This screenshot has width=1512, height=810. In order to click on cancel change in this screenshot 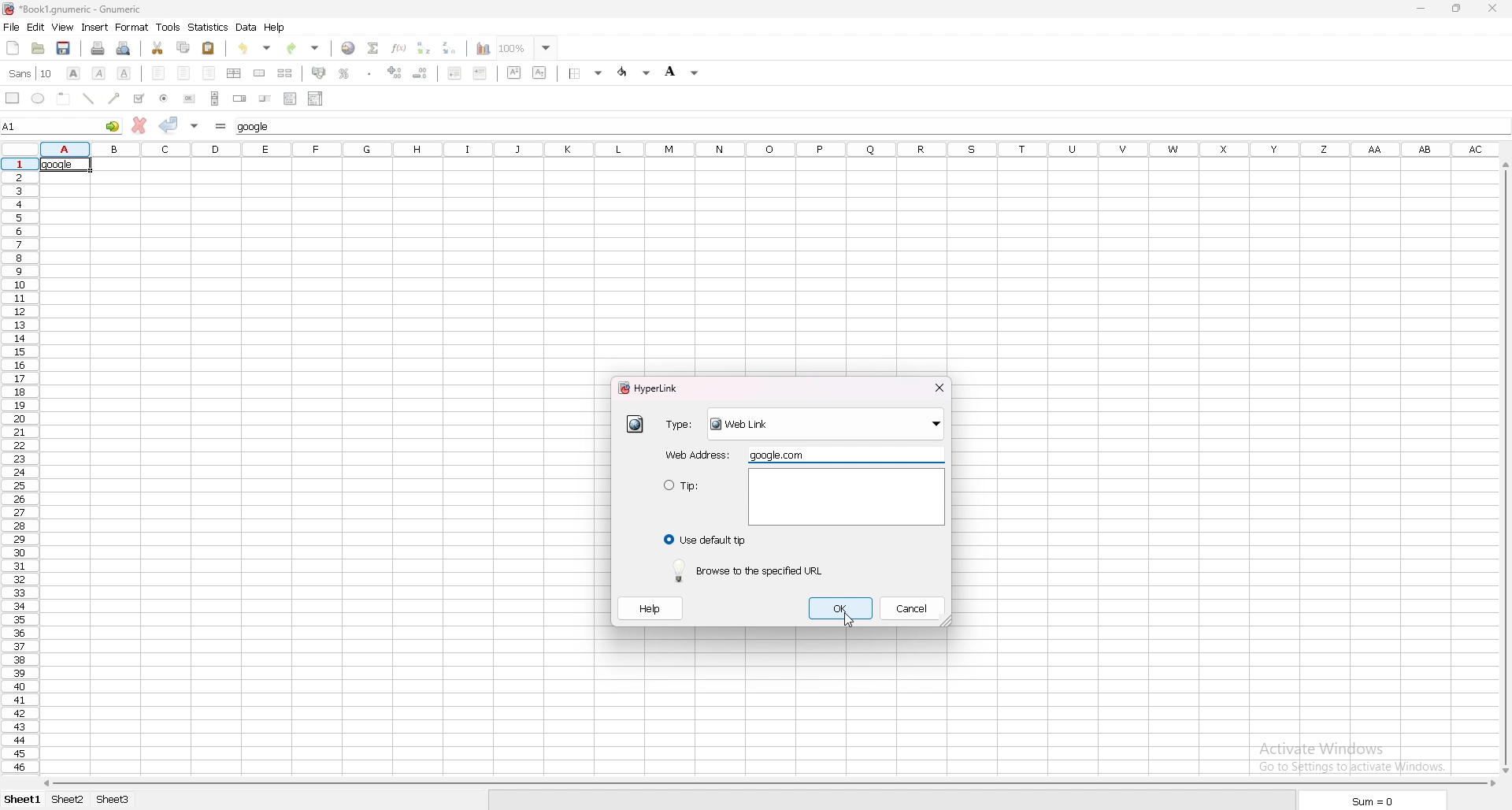, I will do `click(139, 125)`.